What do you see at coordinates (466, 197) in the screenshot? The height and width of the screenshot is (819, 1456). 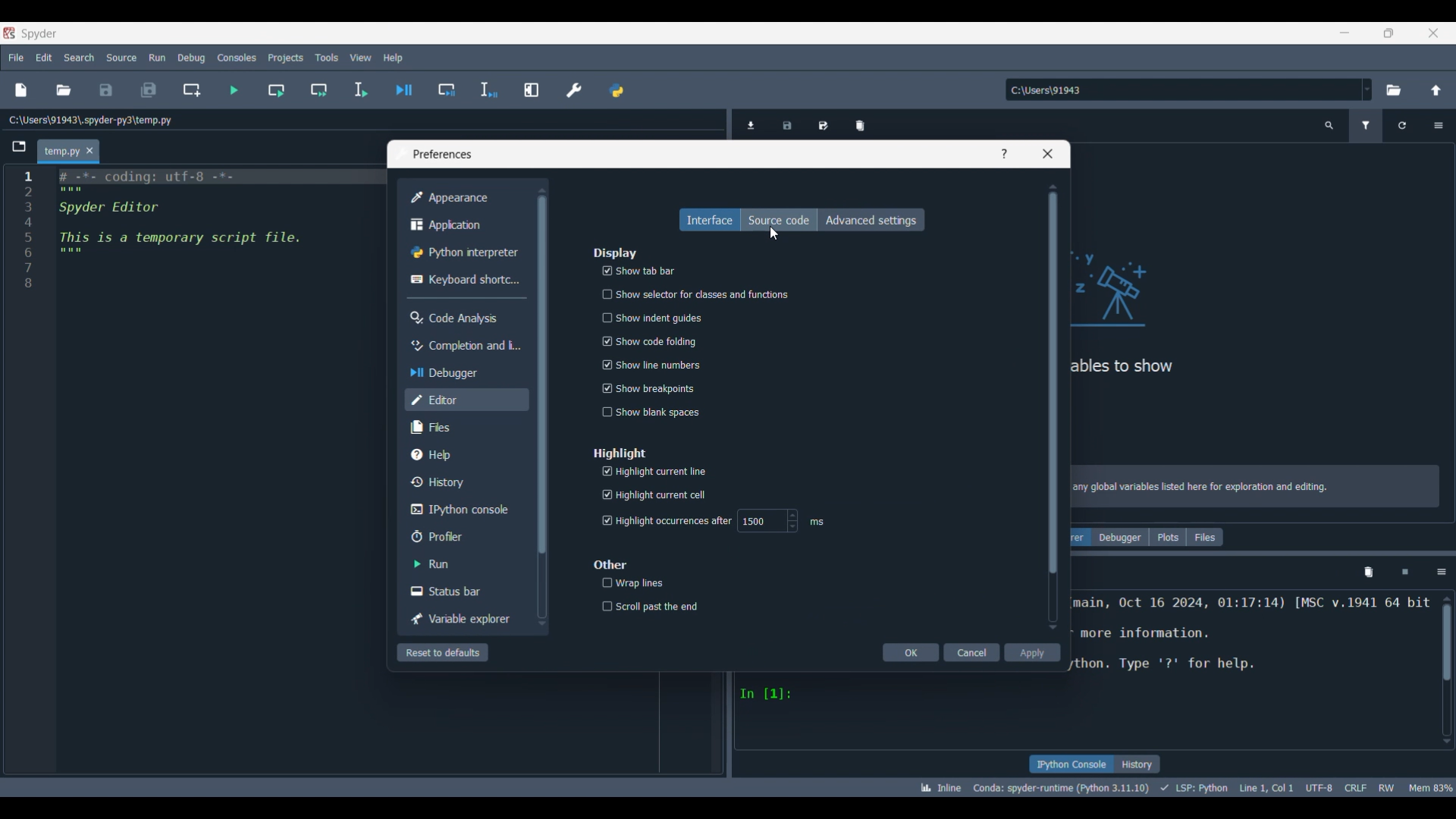 I see `Appearance` at bounding box center [466, 197].